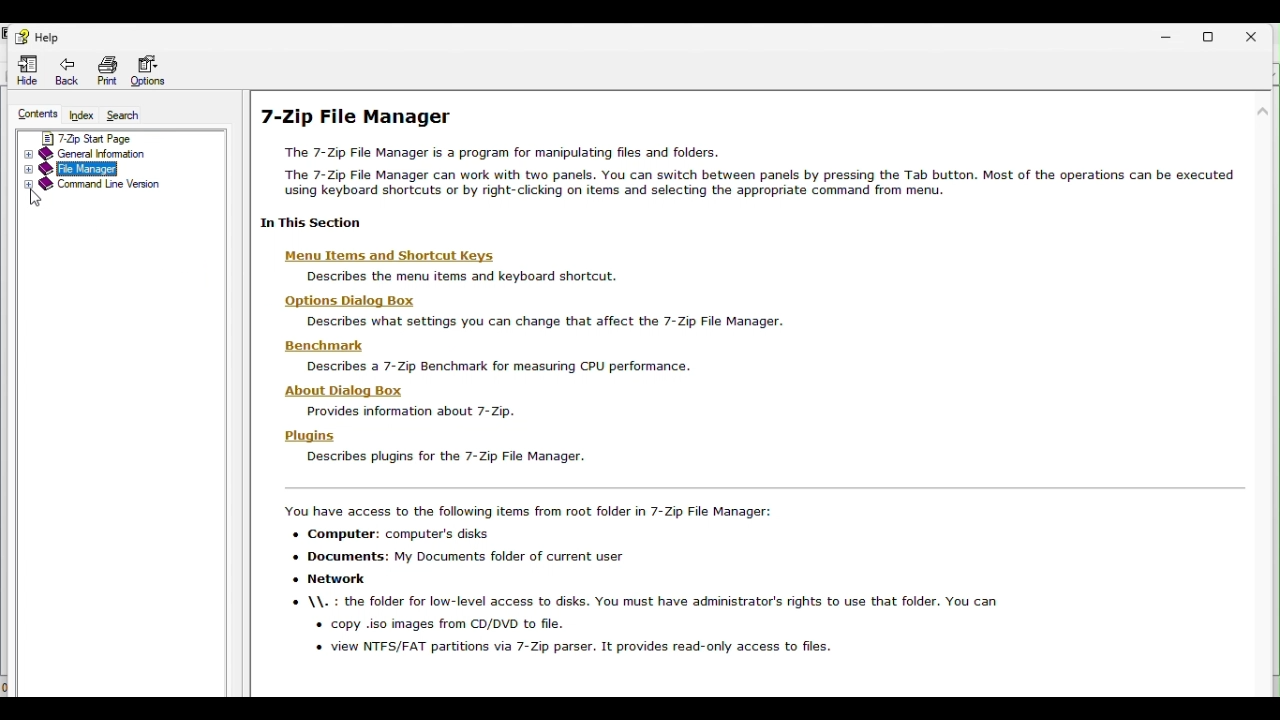  I want to click on Help, so click(38, 38).